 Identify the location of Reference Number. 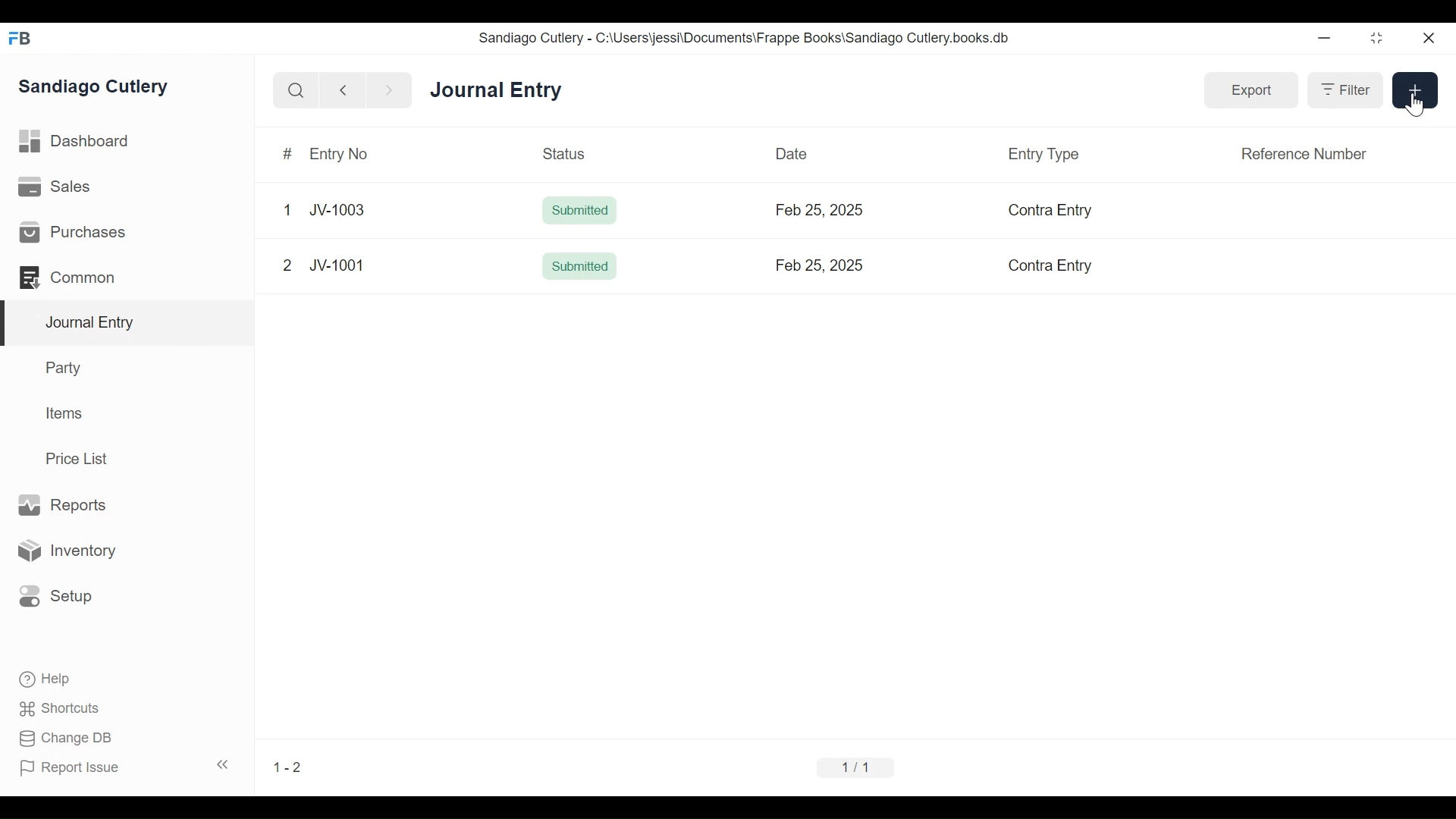
(1304, 154).